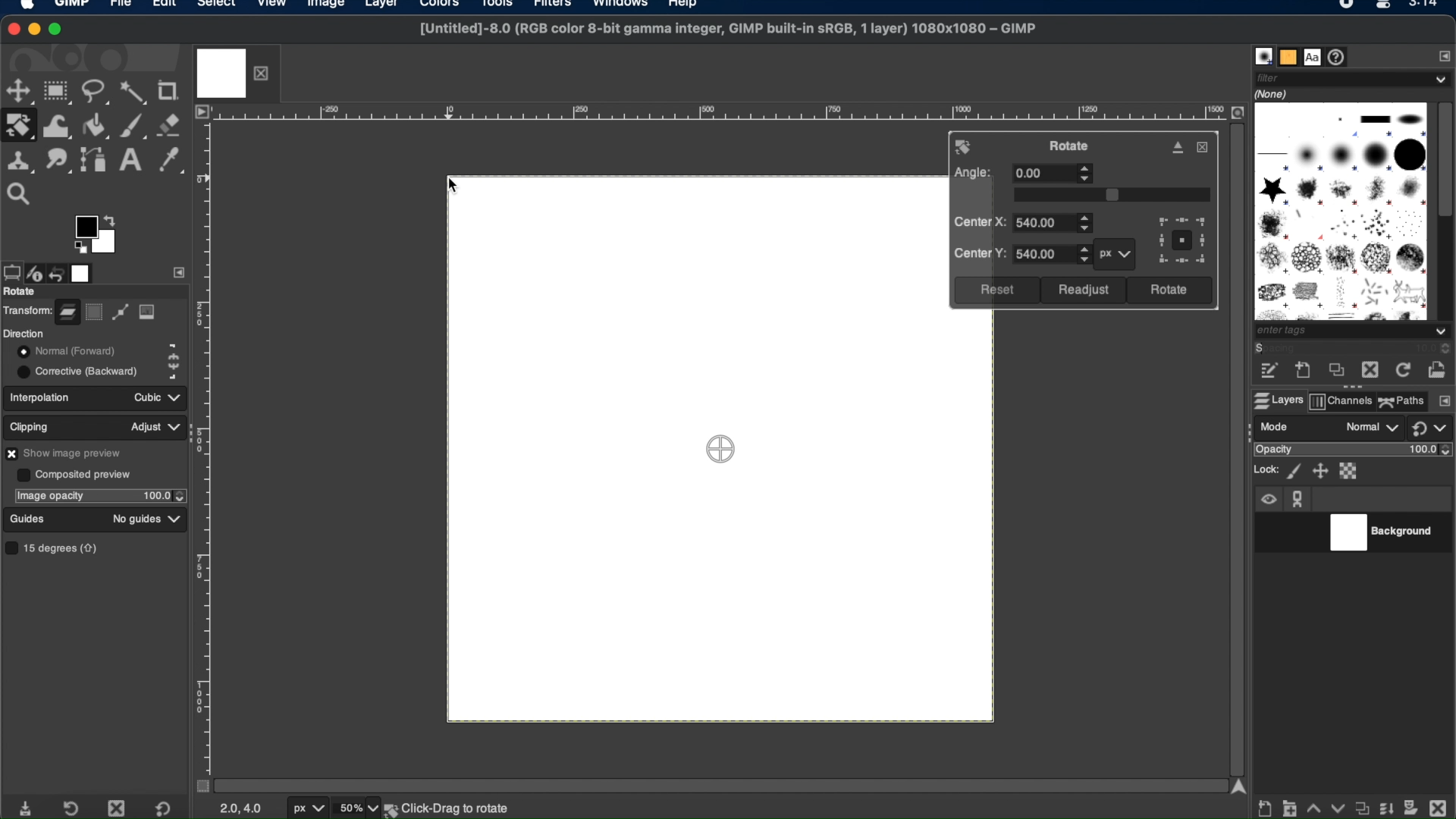 The width and height of the screenshot is (1456, 819). What do you see at coordinates (1313, 805) in the screenshot?
I see `raise this layer` at bounding box center [1313, 805].